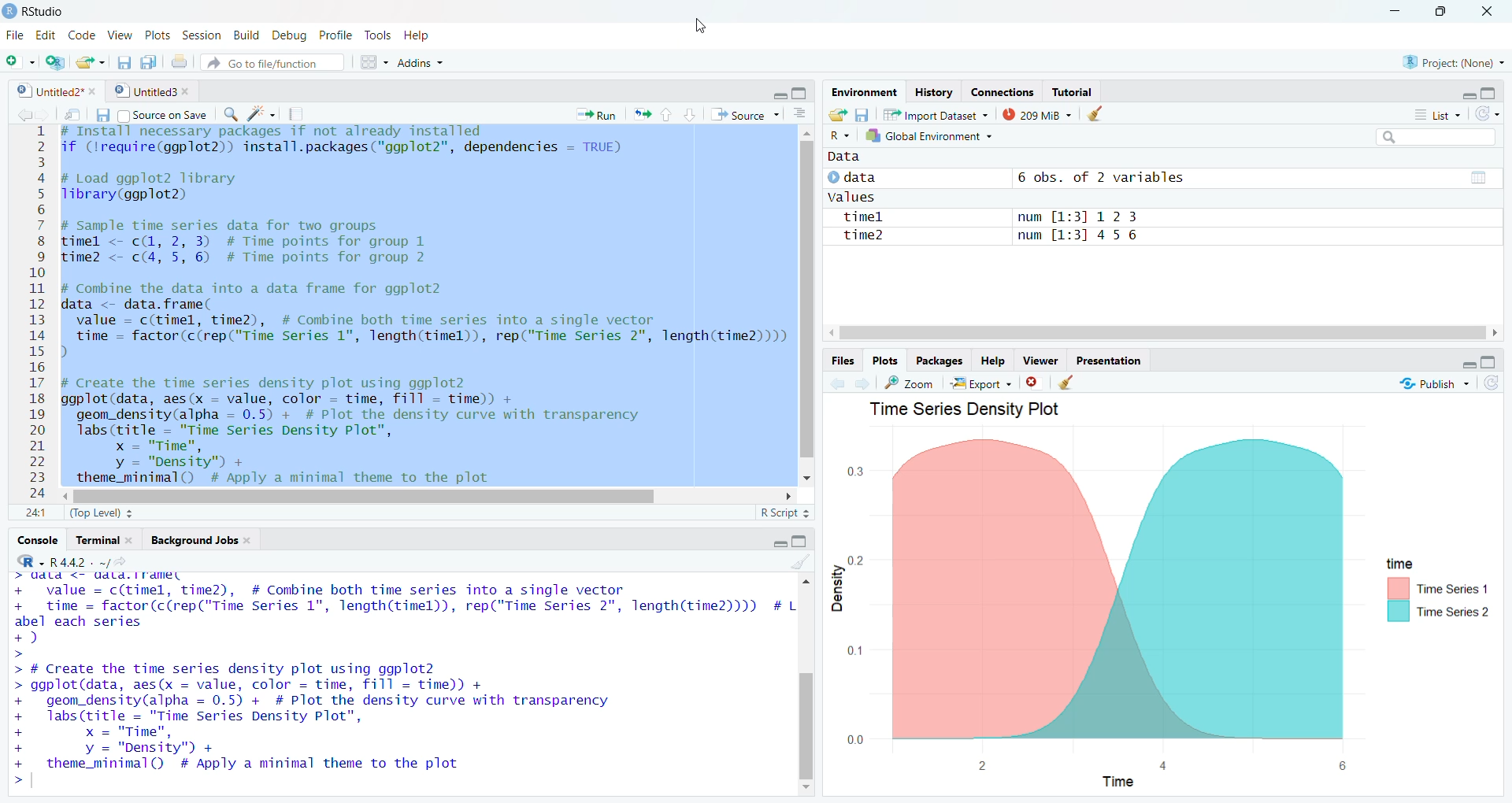  What do you see at coordinates (148, 63) in the screenshot?
I see `Save all open documents` at bounding box center [148, 63].